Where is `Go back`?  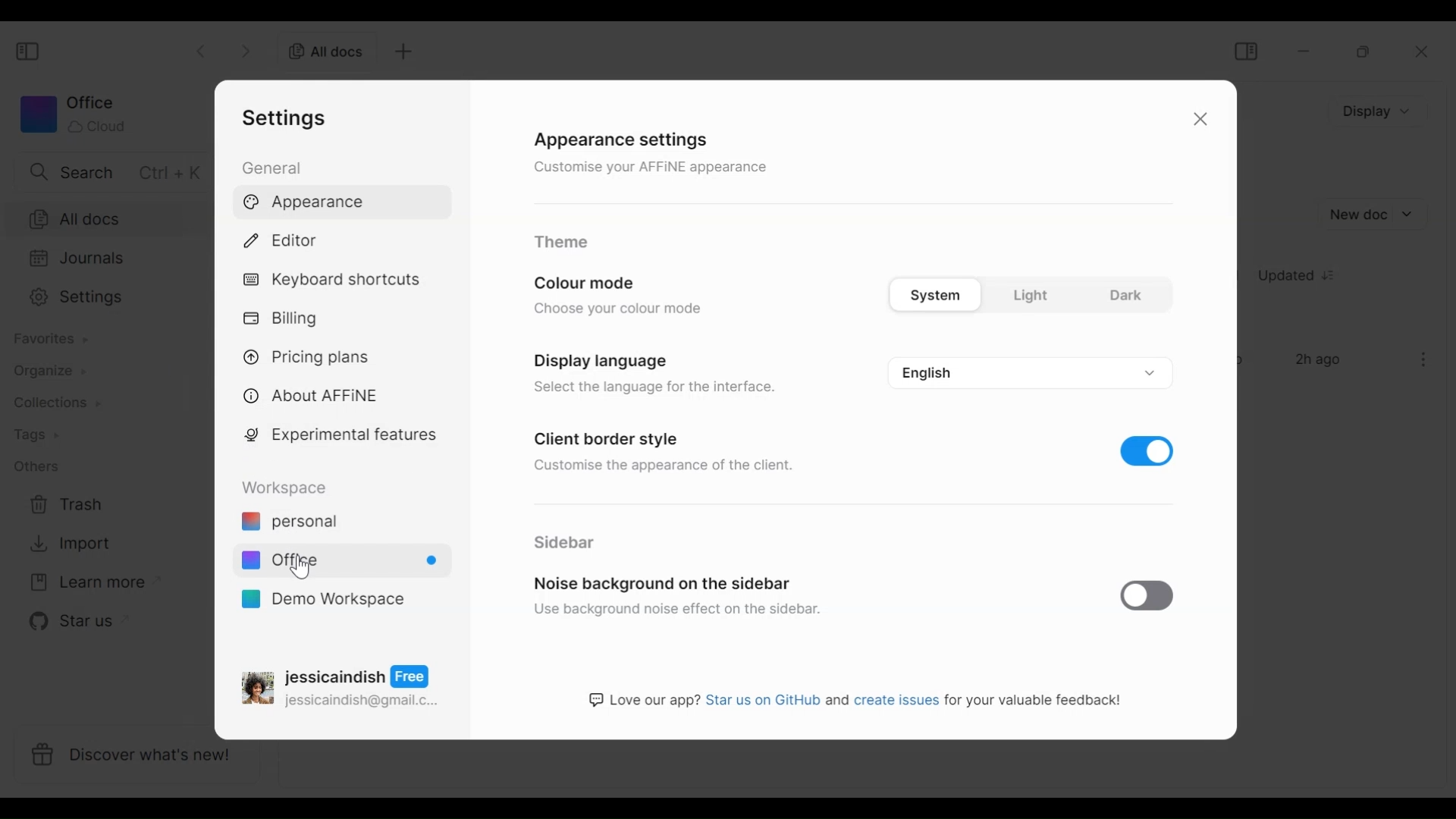
Go back is located at coordinates (203, 49).